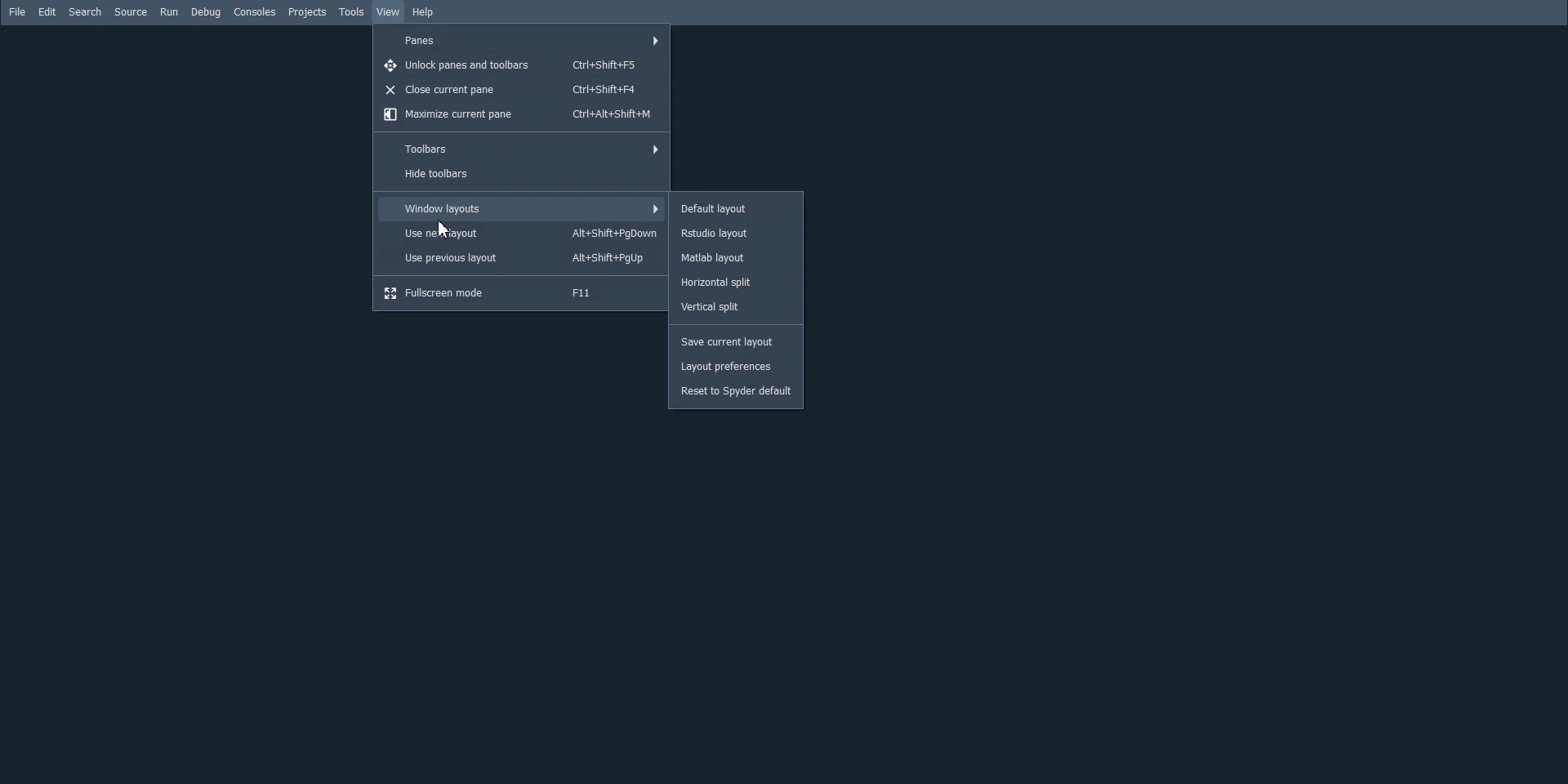 The height and width of the screenshot is (784, 1568). What do you see at coordinates (736, 393) in the screenshot?
I see `Reset to spyder default` at bounding box center [736, 393].